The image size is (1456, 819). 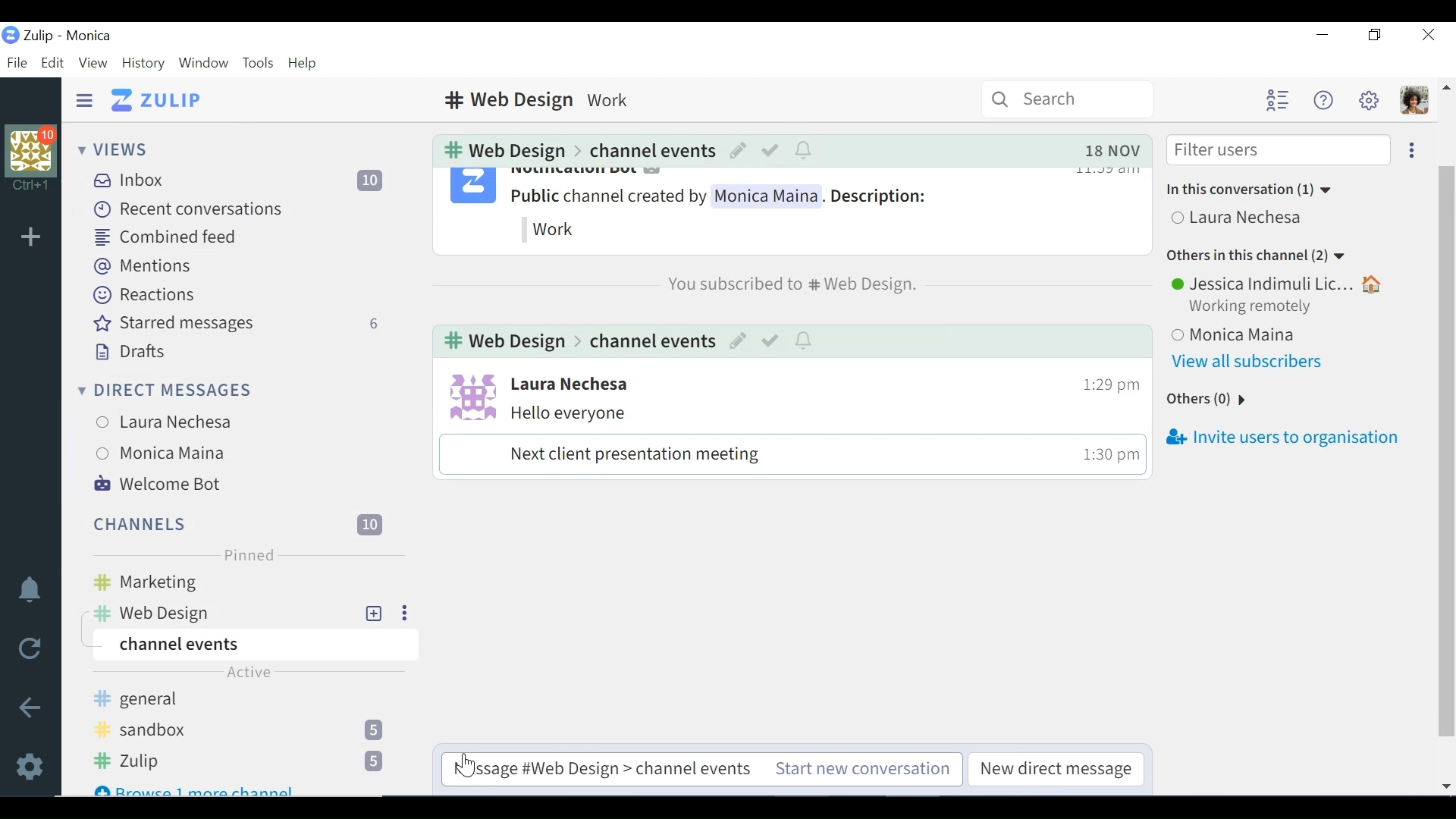 What do you see at coordinates (69, 35) in the screenshot?
I see `Zulip - Monica` at bounding box center [69, 35].